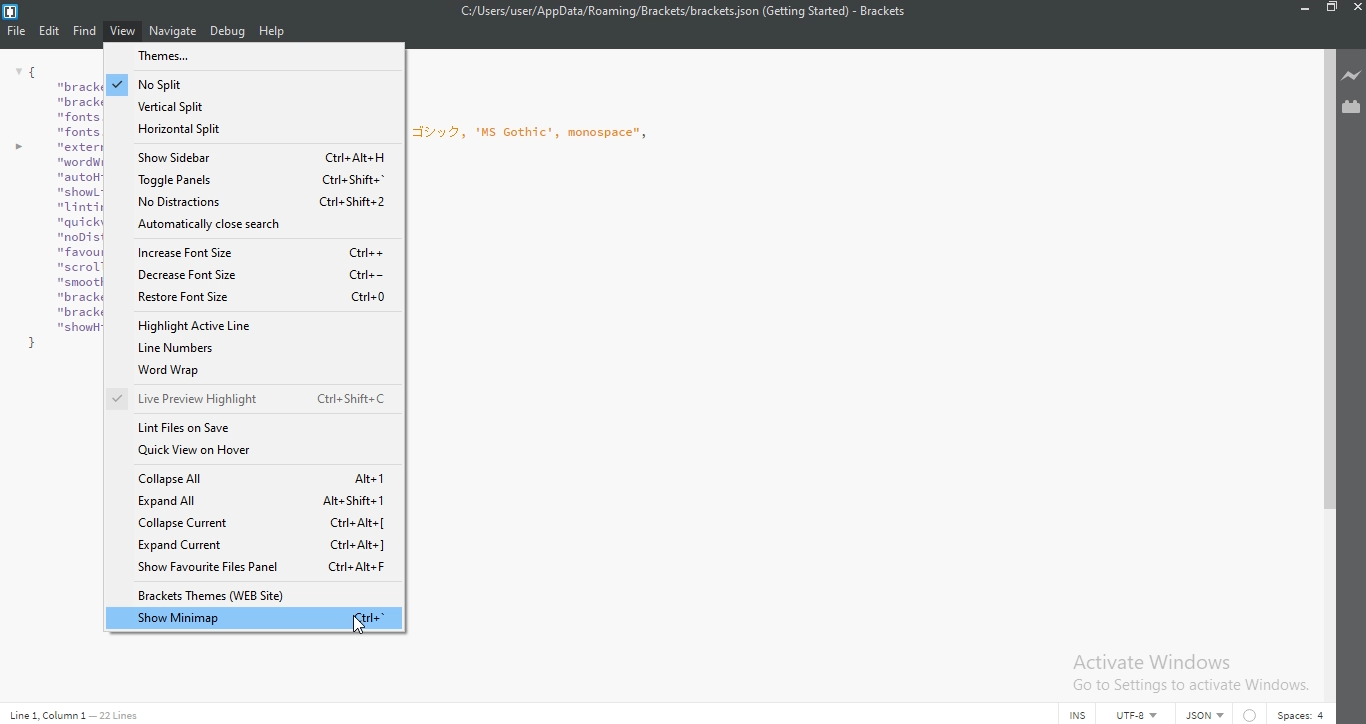 The width and height of the screenshot is (1366, 724). I want to click on no split, so click(241, 84).